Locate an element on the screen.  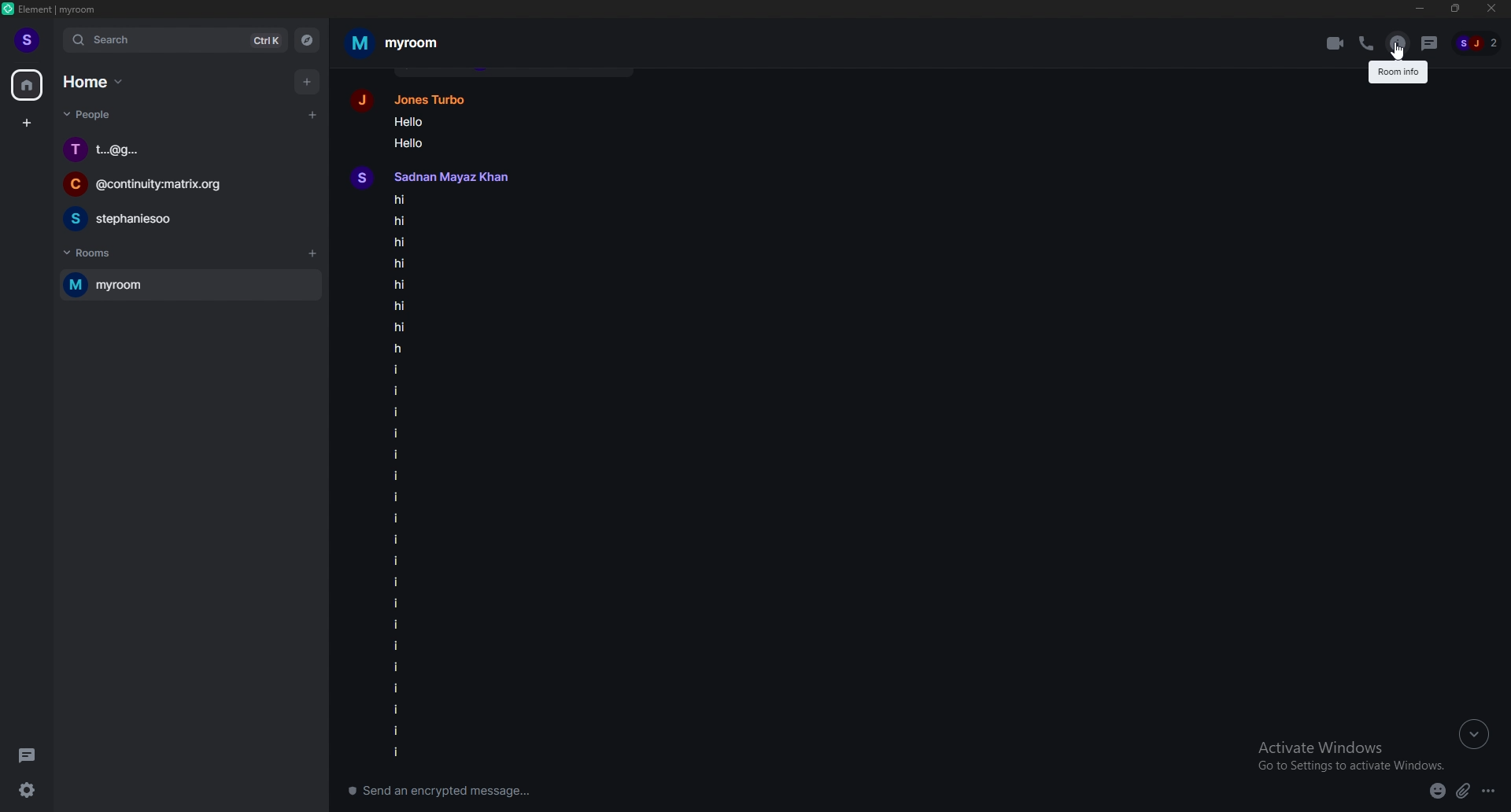
emojis is located at coordinates (1436, 792).